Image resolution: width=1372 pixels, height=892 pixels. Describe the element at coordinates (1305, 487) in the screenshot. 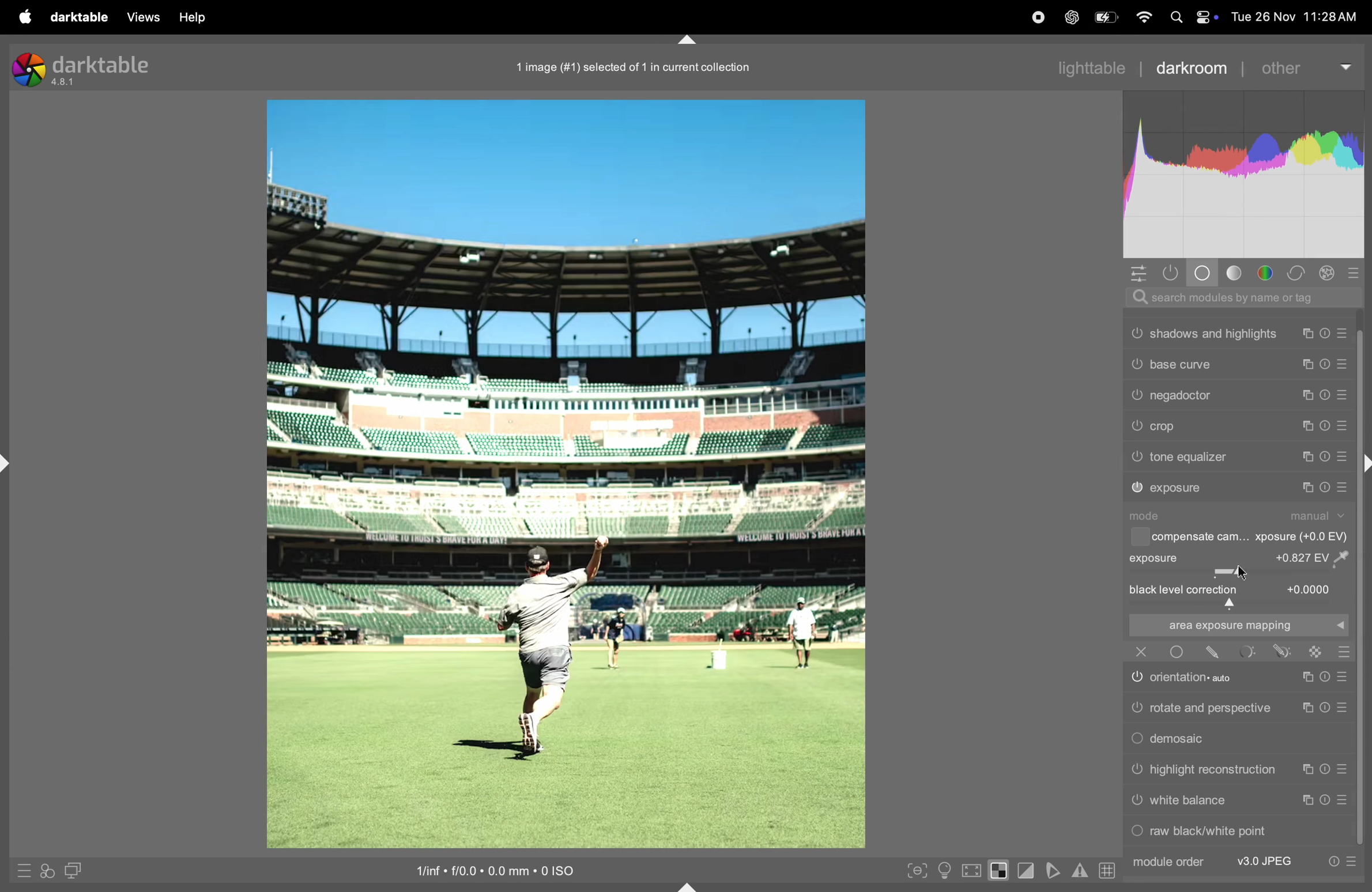

I see `copy` at that location.